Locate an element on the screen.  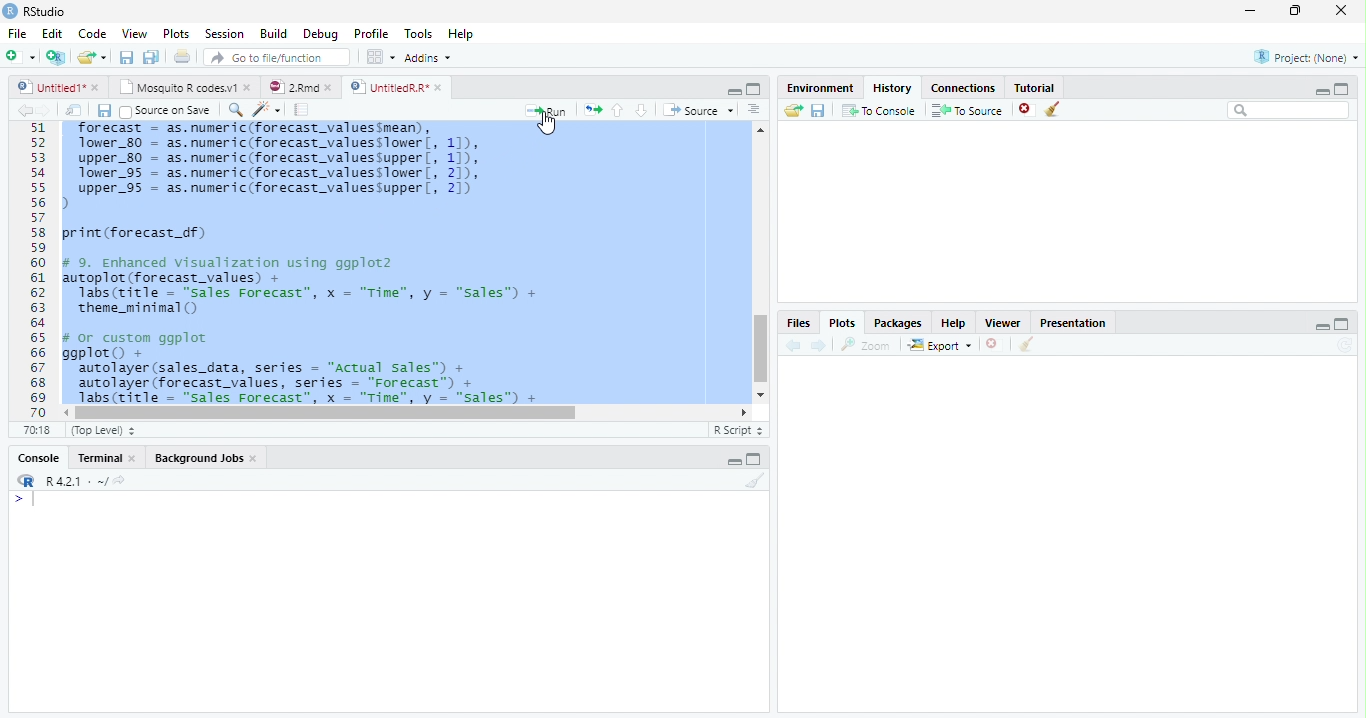
Minimize is located at coordinates (1252, 10).